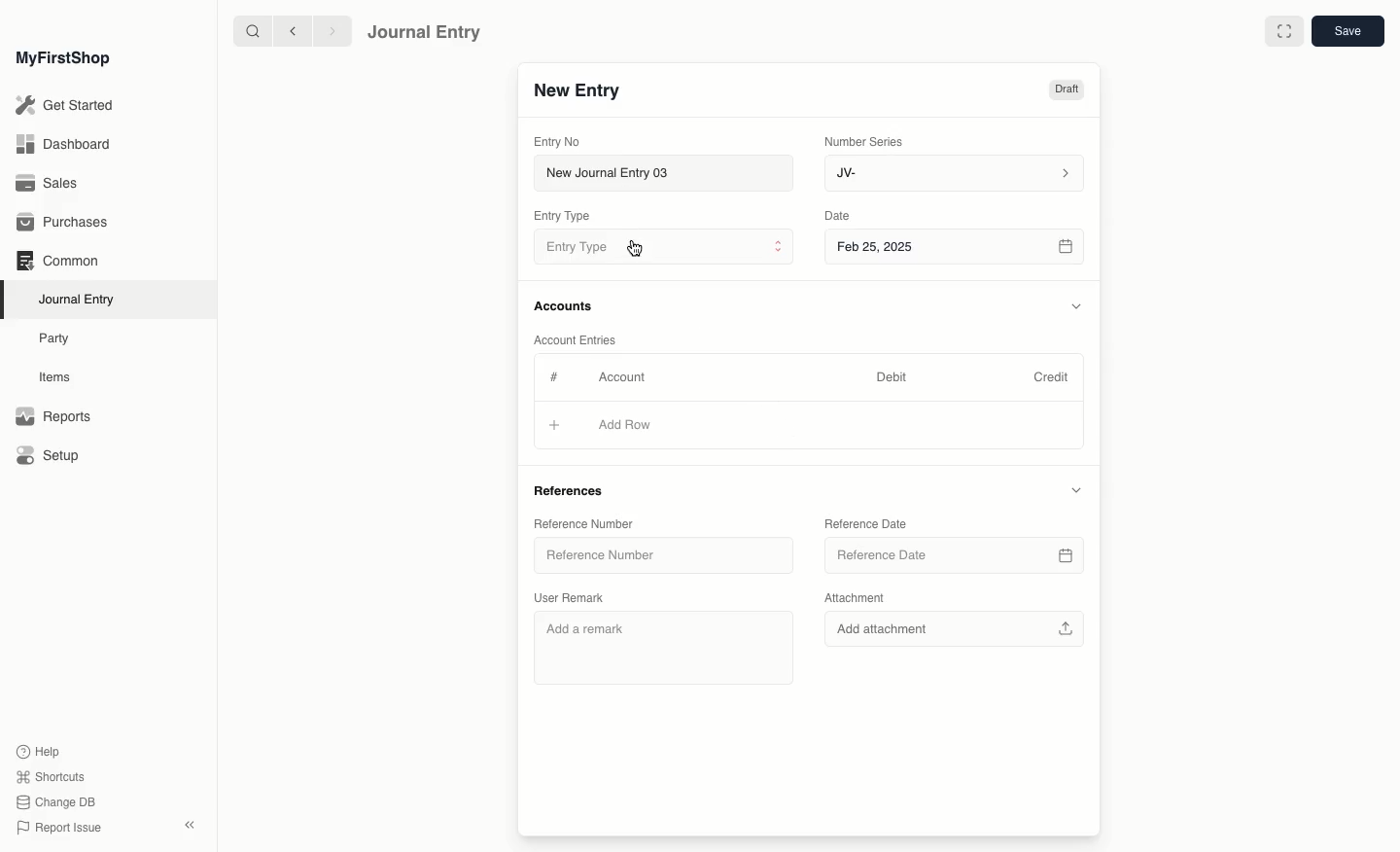  I want to click on Add a remark, so click(661, 648).